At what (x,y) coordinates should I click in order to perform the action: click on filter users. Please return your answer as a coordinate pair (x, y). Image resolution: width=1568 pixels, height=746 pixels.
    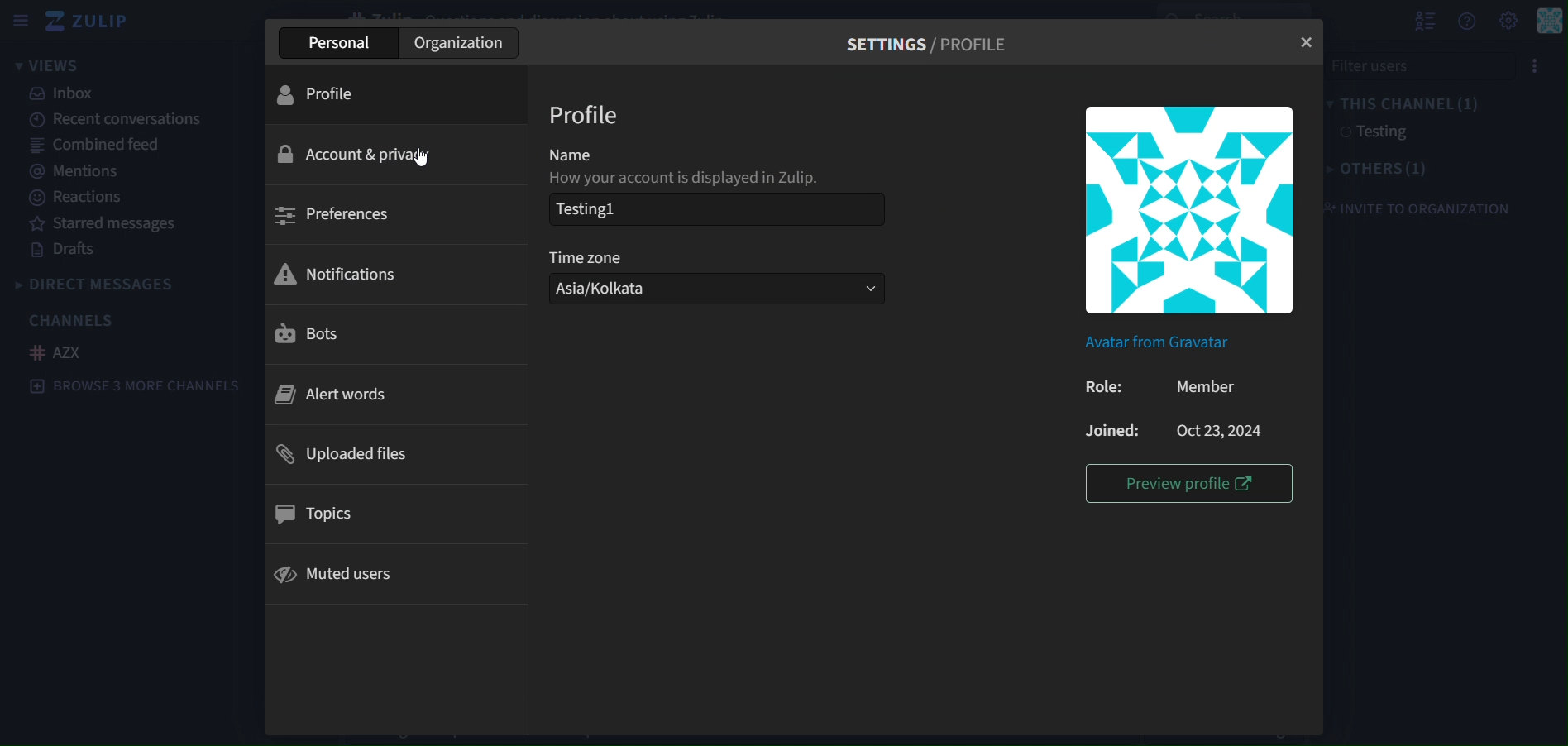
    Looking at the image, I should click on (1424, 65).